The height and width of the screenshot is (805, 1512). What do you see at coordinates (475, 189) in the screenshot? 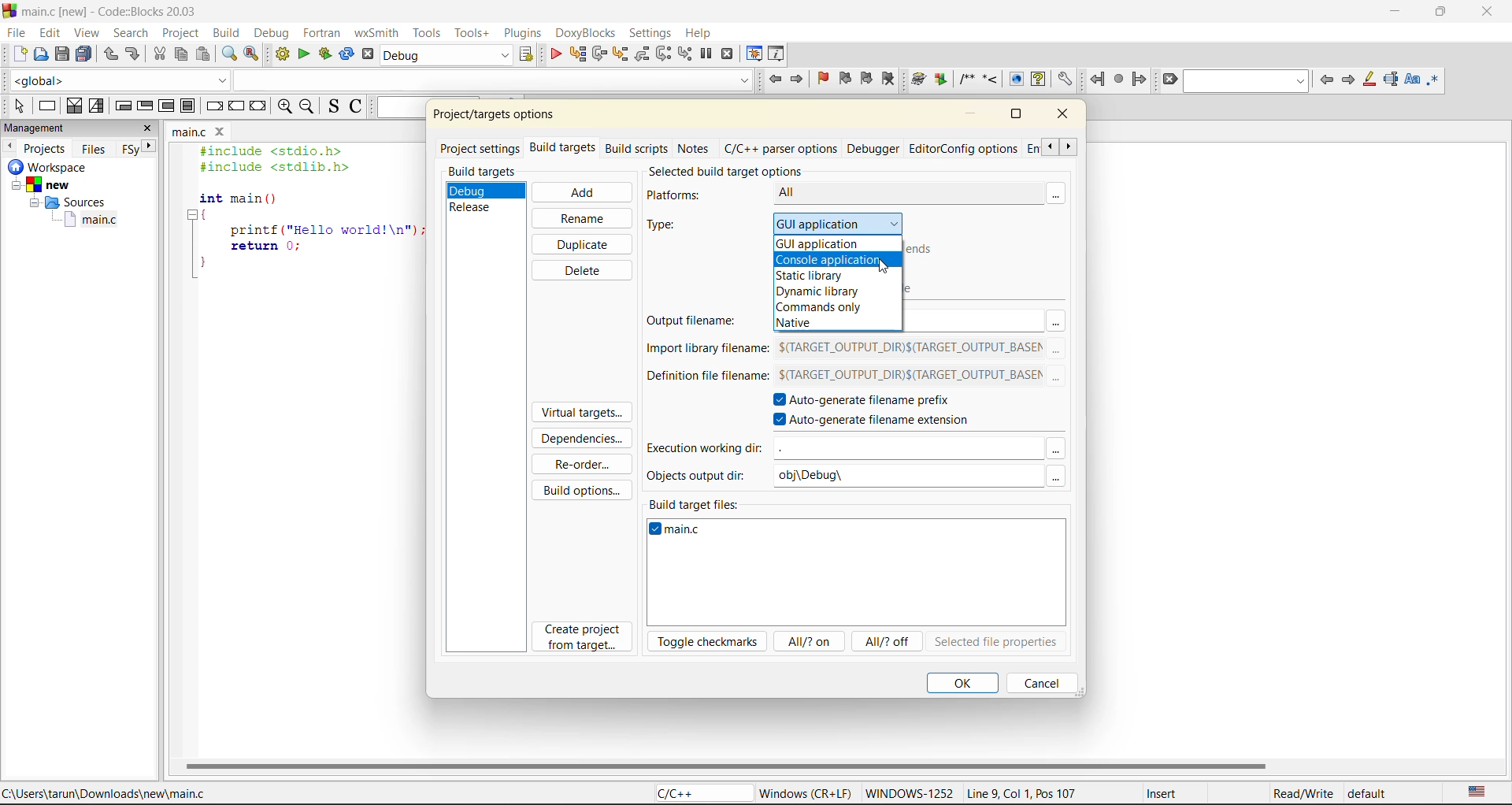
I see `debug` at bounding box center [475, 189].